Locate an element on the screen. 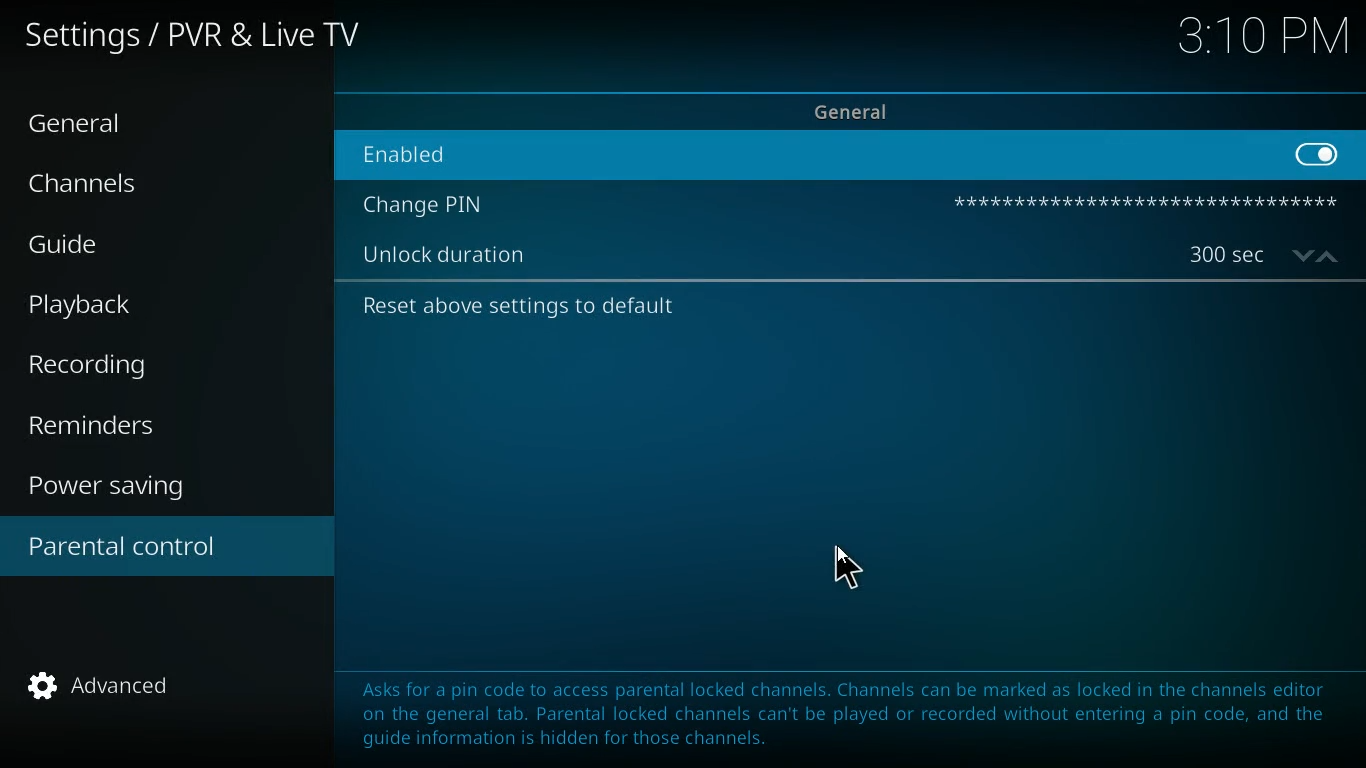 This screenshot has width=1366, height=768. recording is located at coordinates (117, 366).